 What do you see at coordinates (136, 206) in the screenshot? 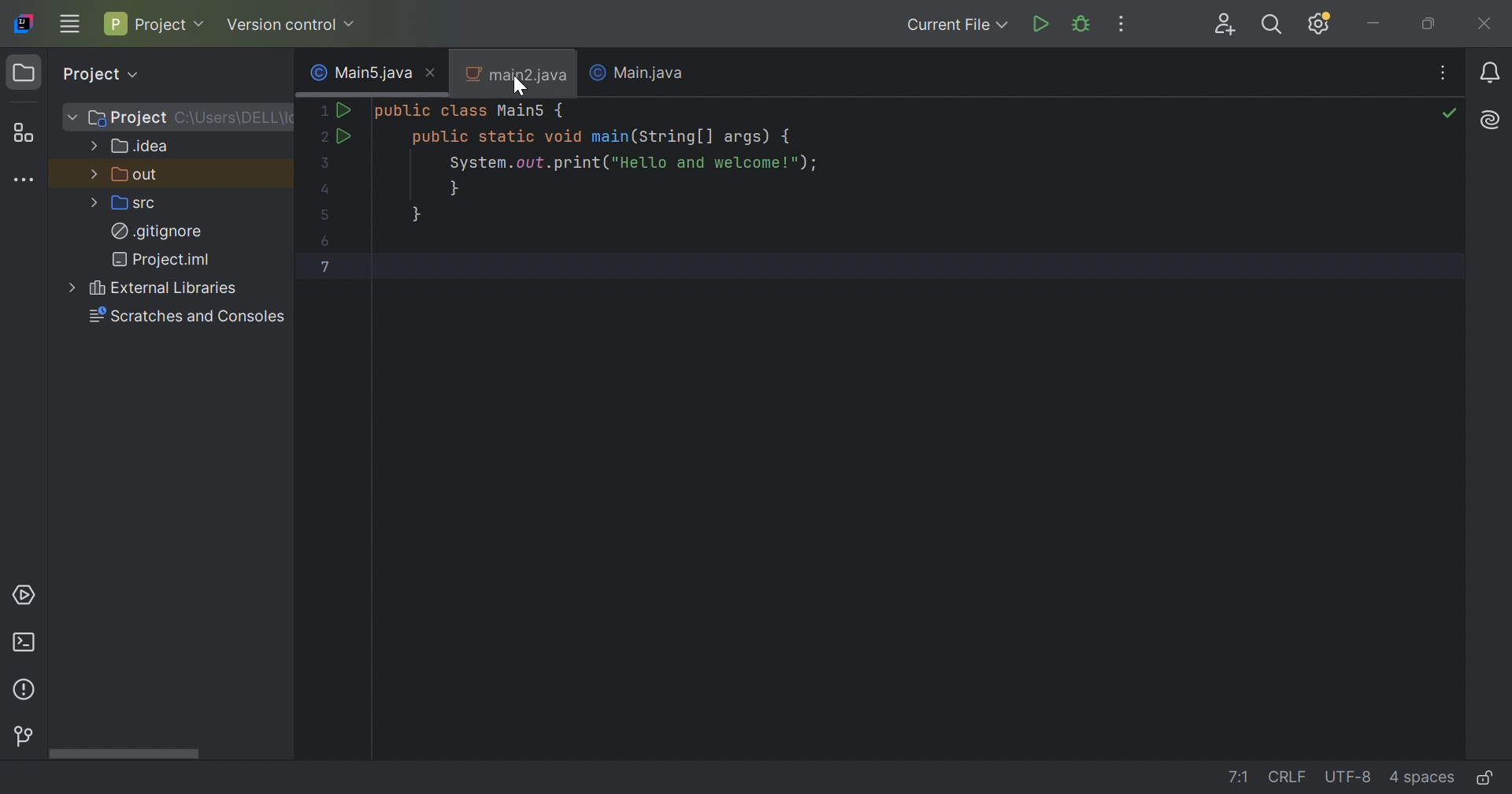
I see `src` at bounding box center [136, 206].